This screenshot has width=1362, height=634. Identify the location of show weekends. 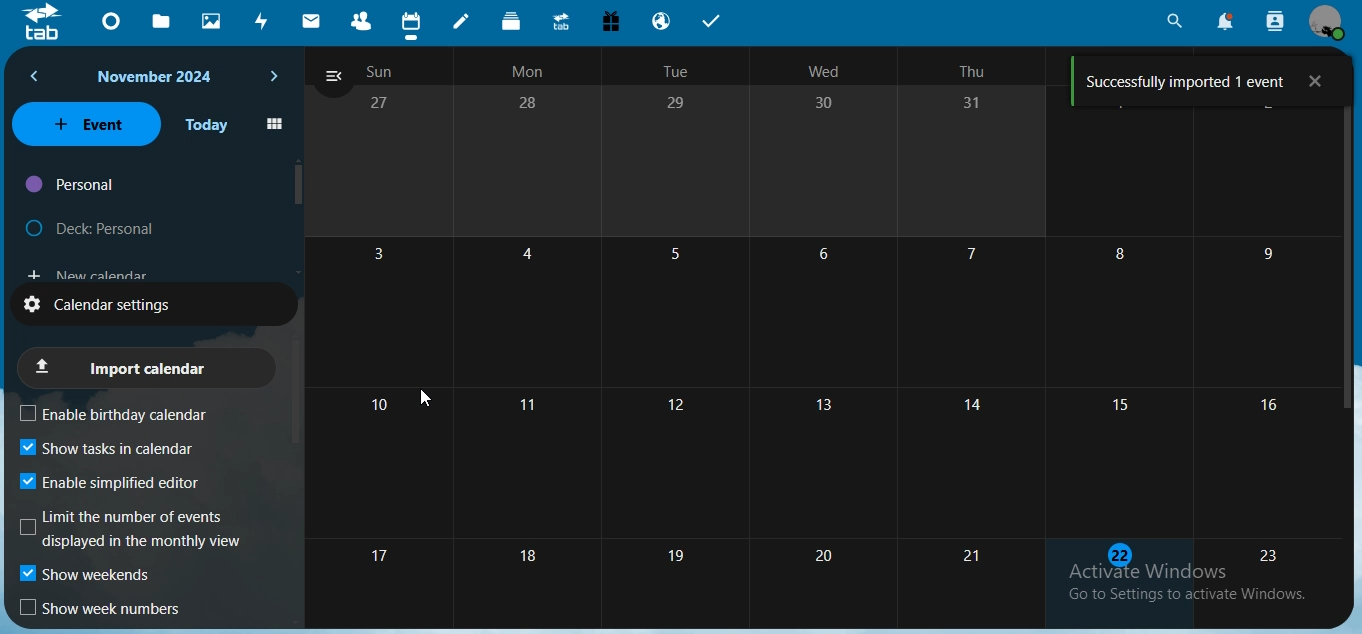
(88, 577).